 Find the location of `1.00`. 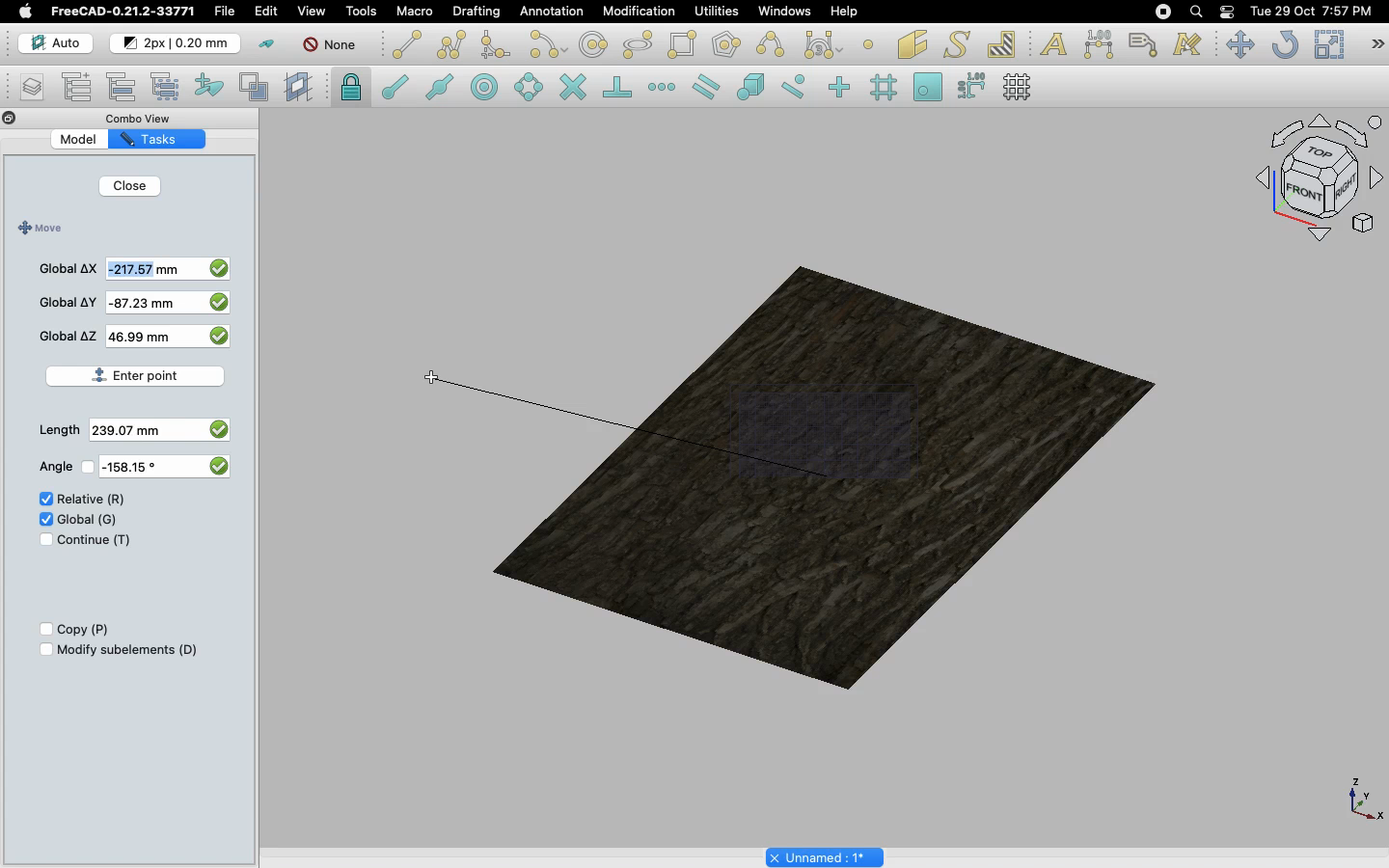

1.00 is located at coordinates (140, 303).